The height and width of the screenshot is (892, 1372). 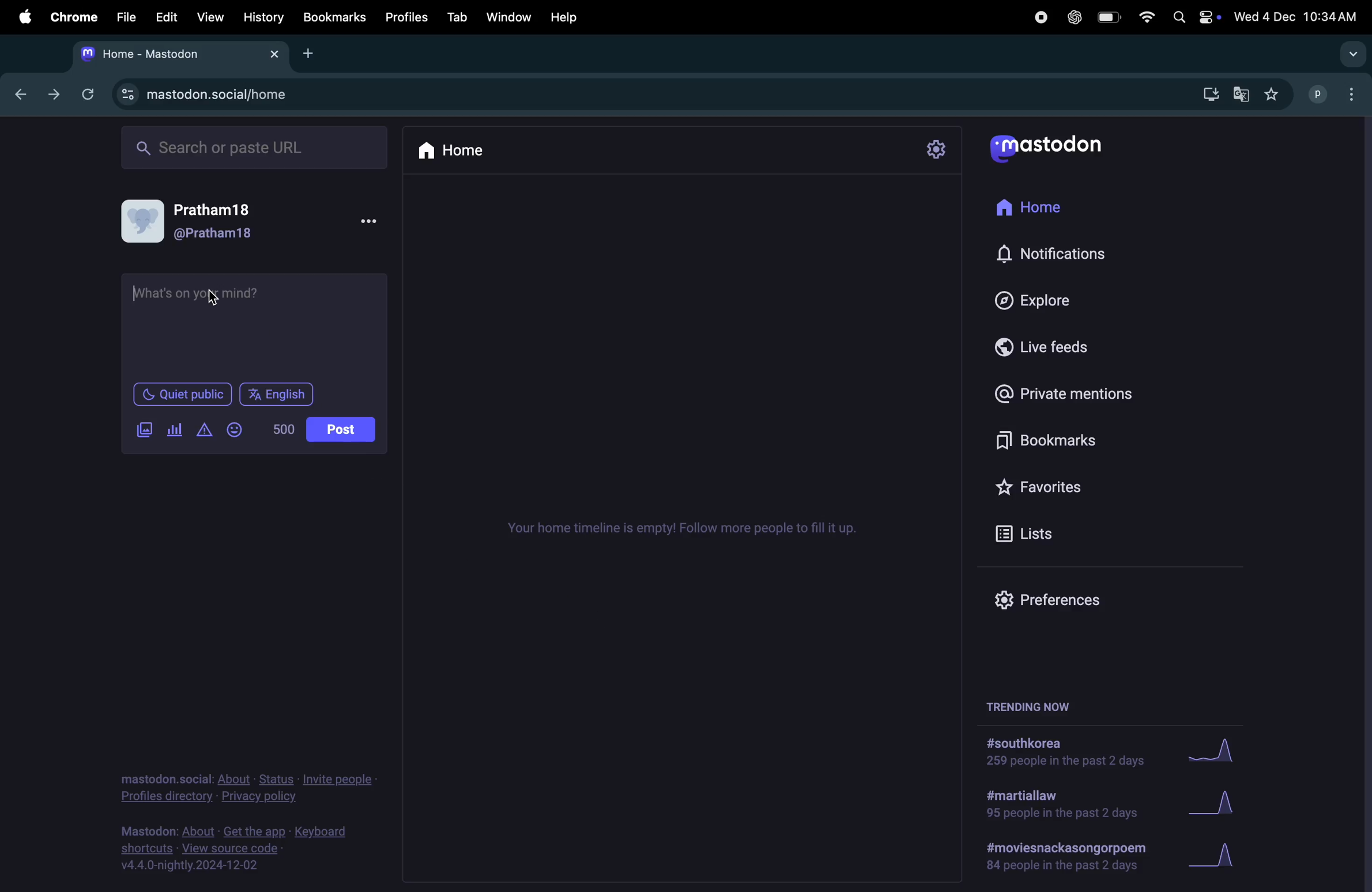 I want to click on cursor, so click(x=214, y=298).